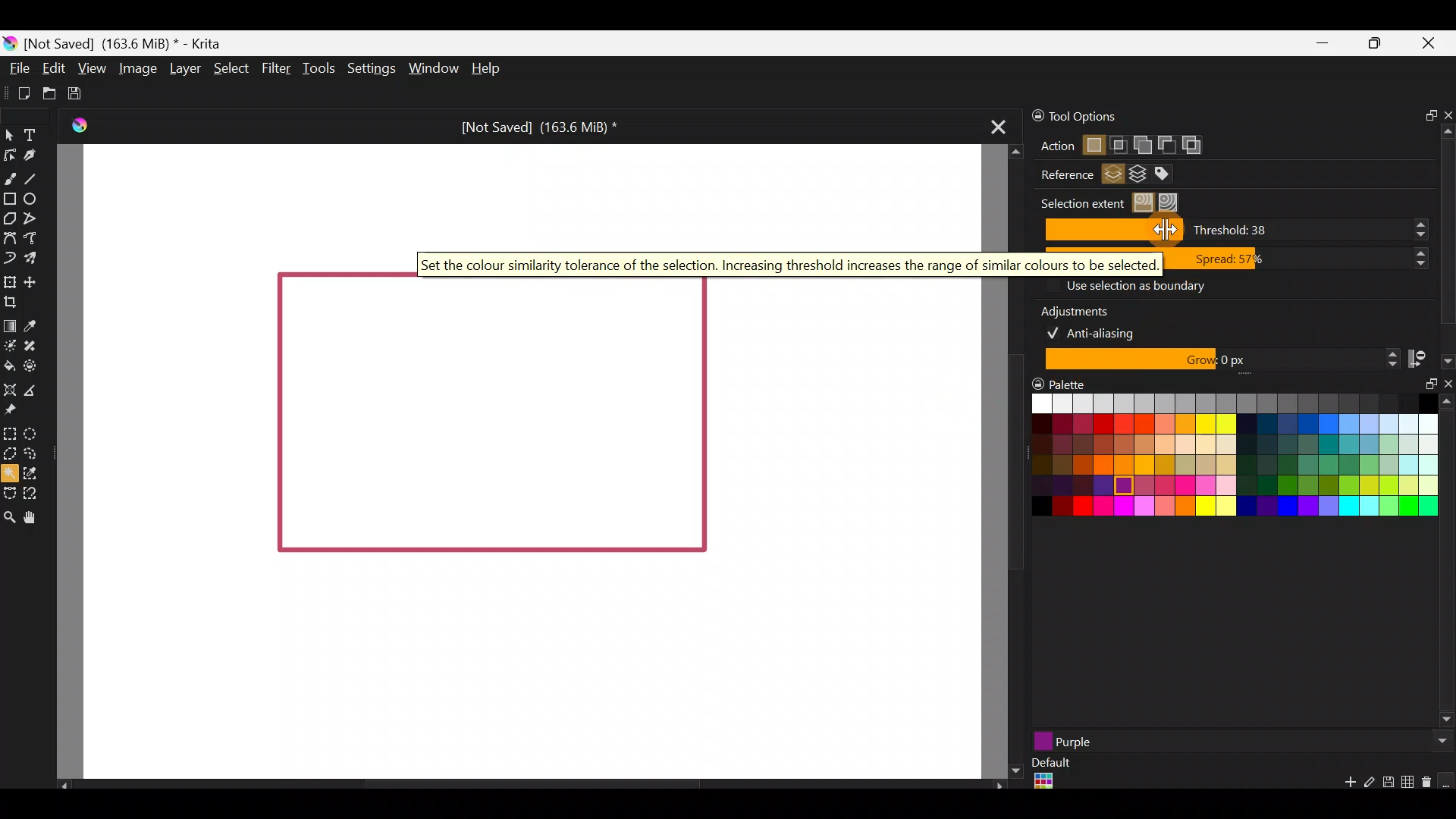  I want to click on Dynamic brush tool, so click(9, 257).